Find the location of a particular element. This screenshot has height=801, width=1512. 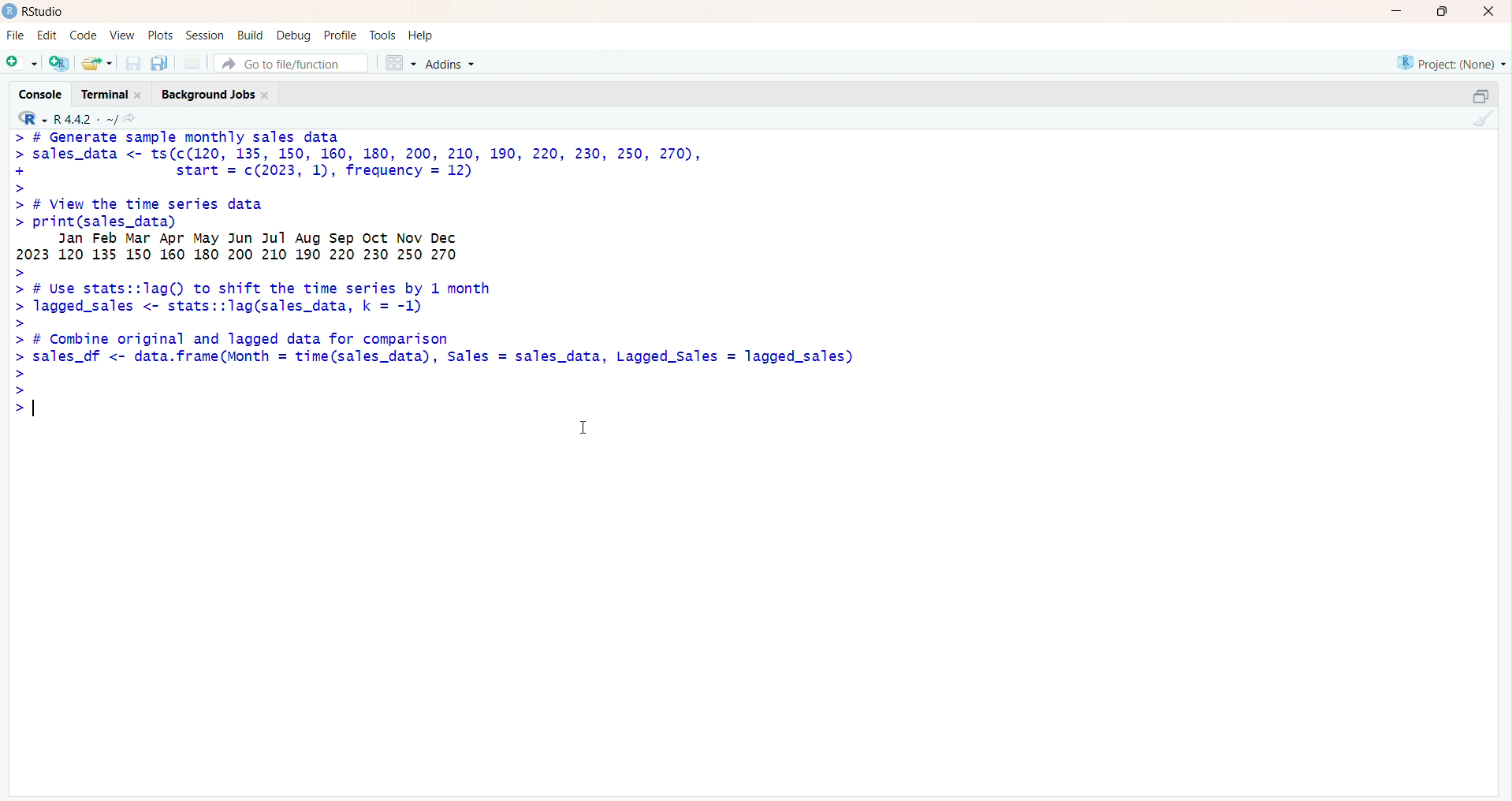

terminal is located at coordinates (110, 95).